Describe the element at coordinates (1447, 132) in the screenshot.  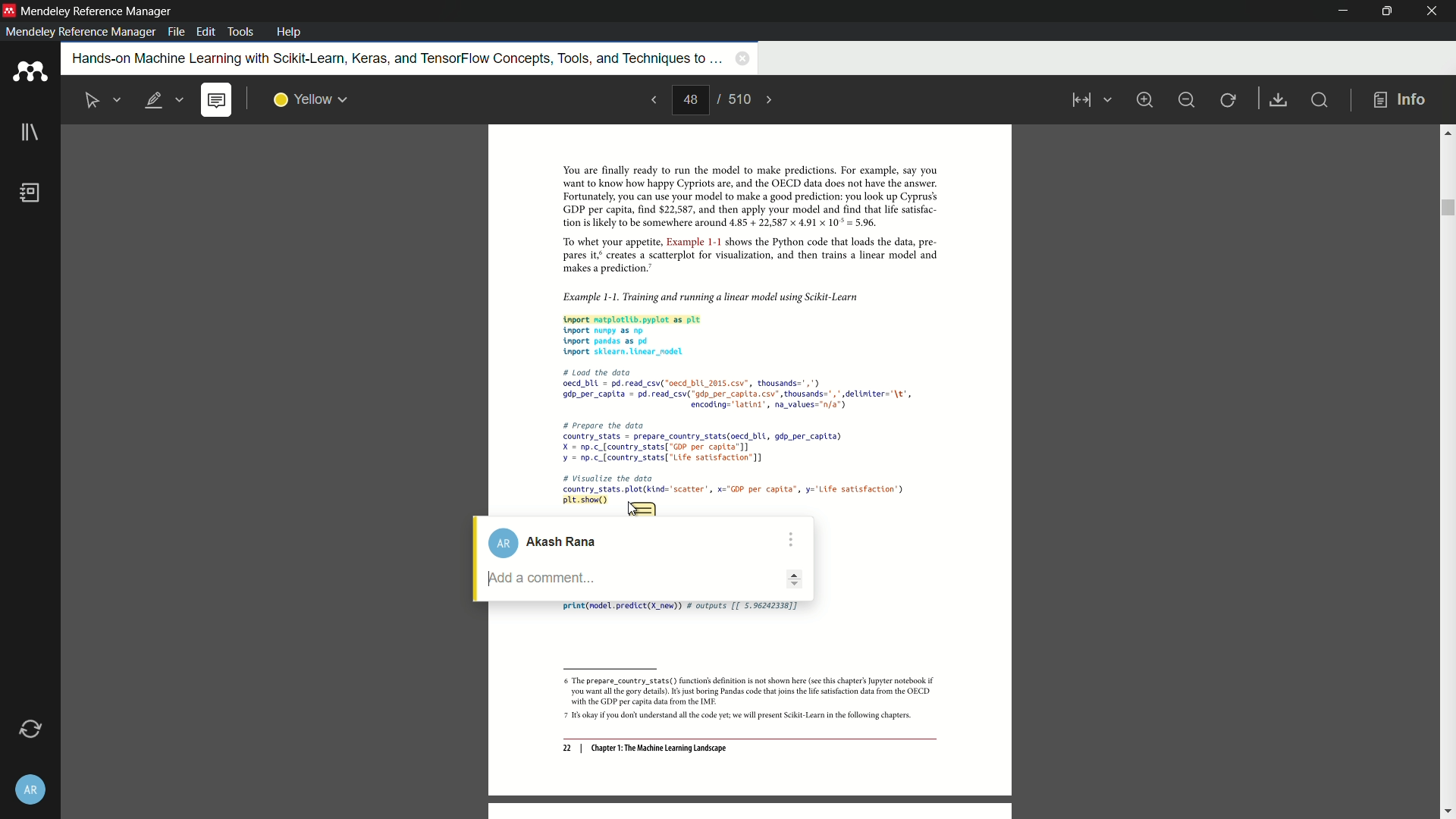
I see `scroll up` at that location.